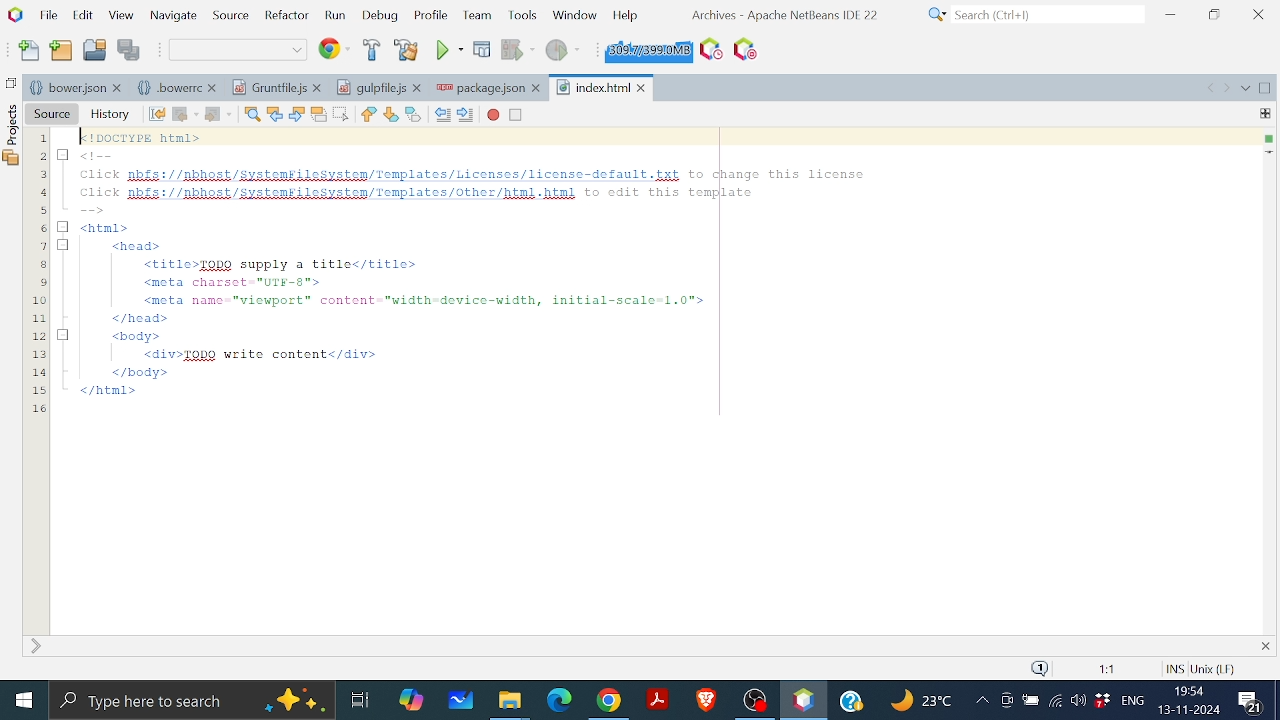 This screenshot has width=1280, height=720. What do you see at coordinates (406, 51) in the screenshot?
I see `Clean and build` at bounding box center [406, 51].